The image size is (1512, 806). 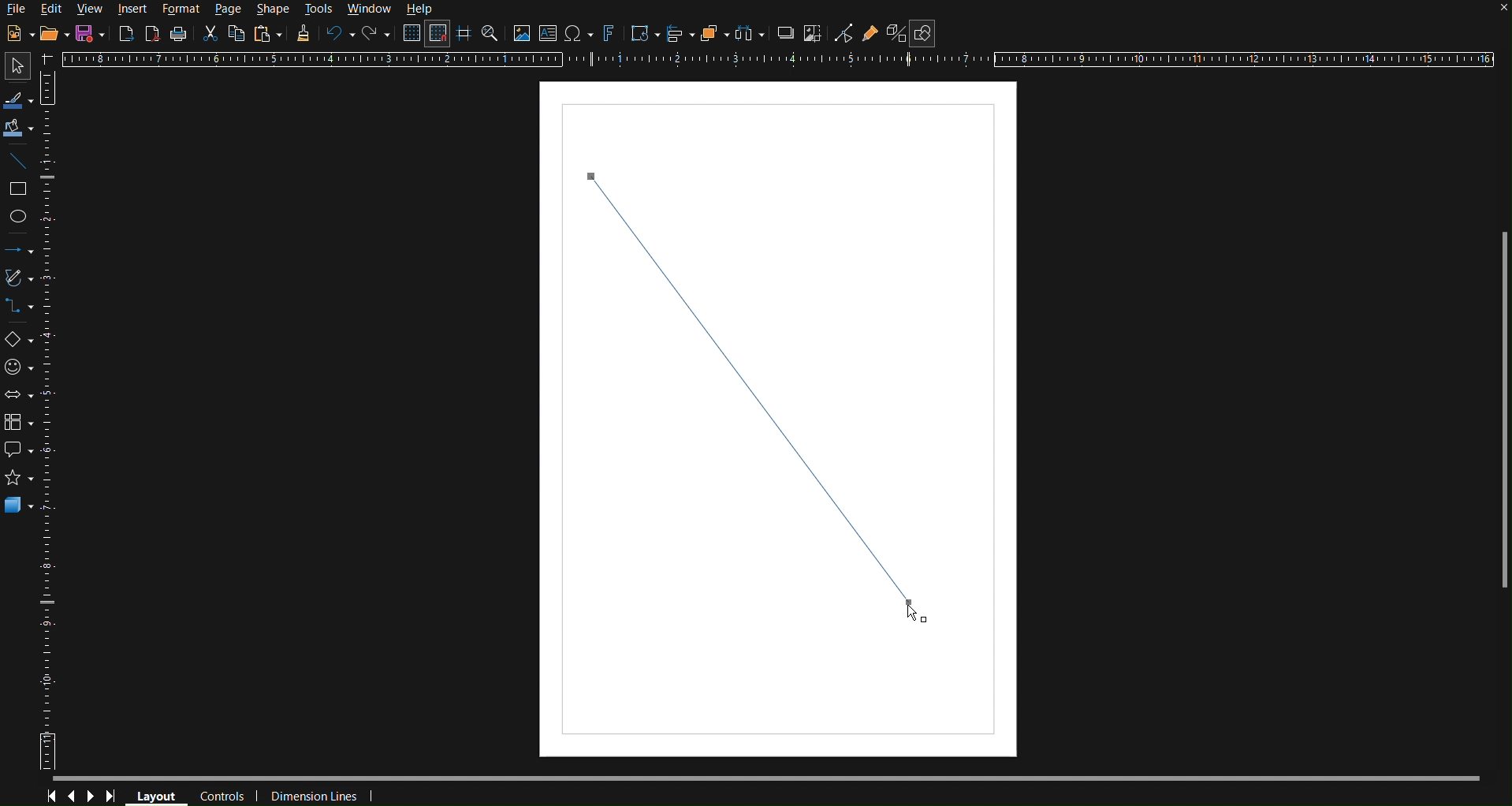 I want to click on Zoom and Pan, so click(x=490, y=33).